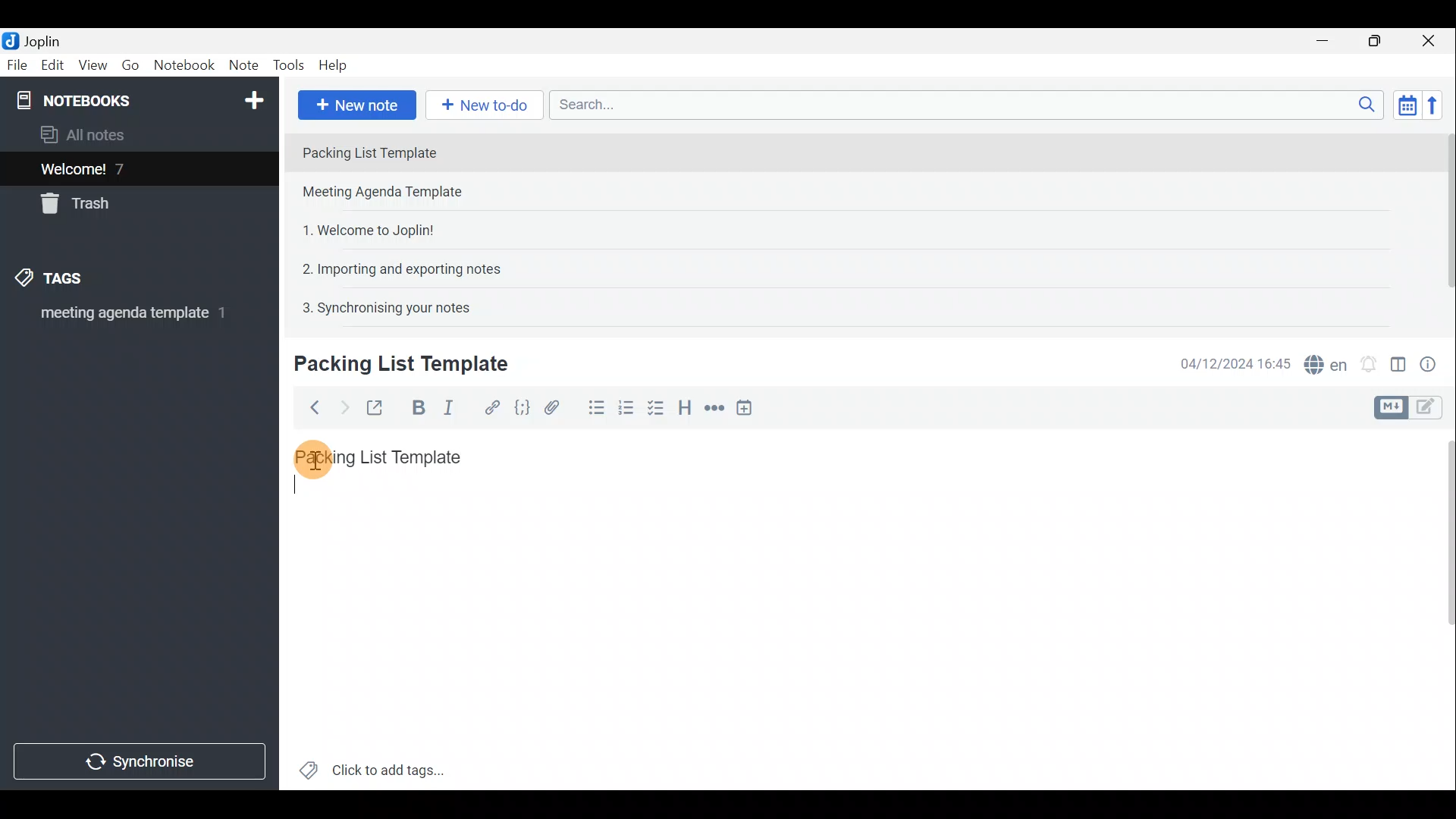 Image resolution: width=1456 pixels, height=819 pixels. What do you see at coordinates (295, 487) in the screenshot?
I see `typing start` at bounding box center [295, 487].